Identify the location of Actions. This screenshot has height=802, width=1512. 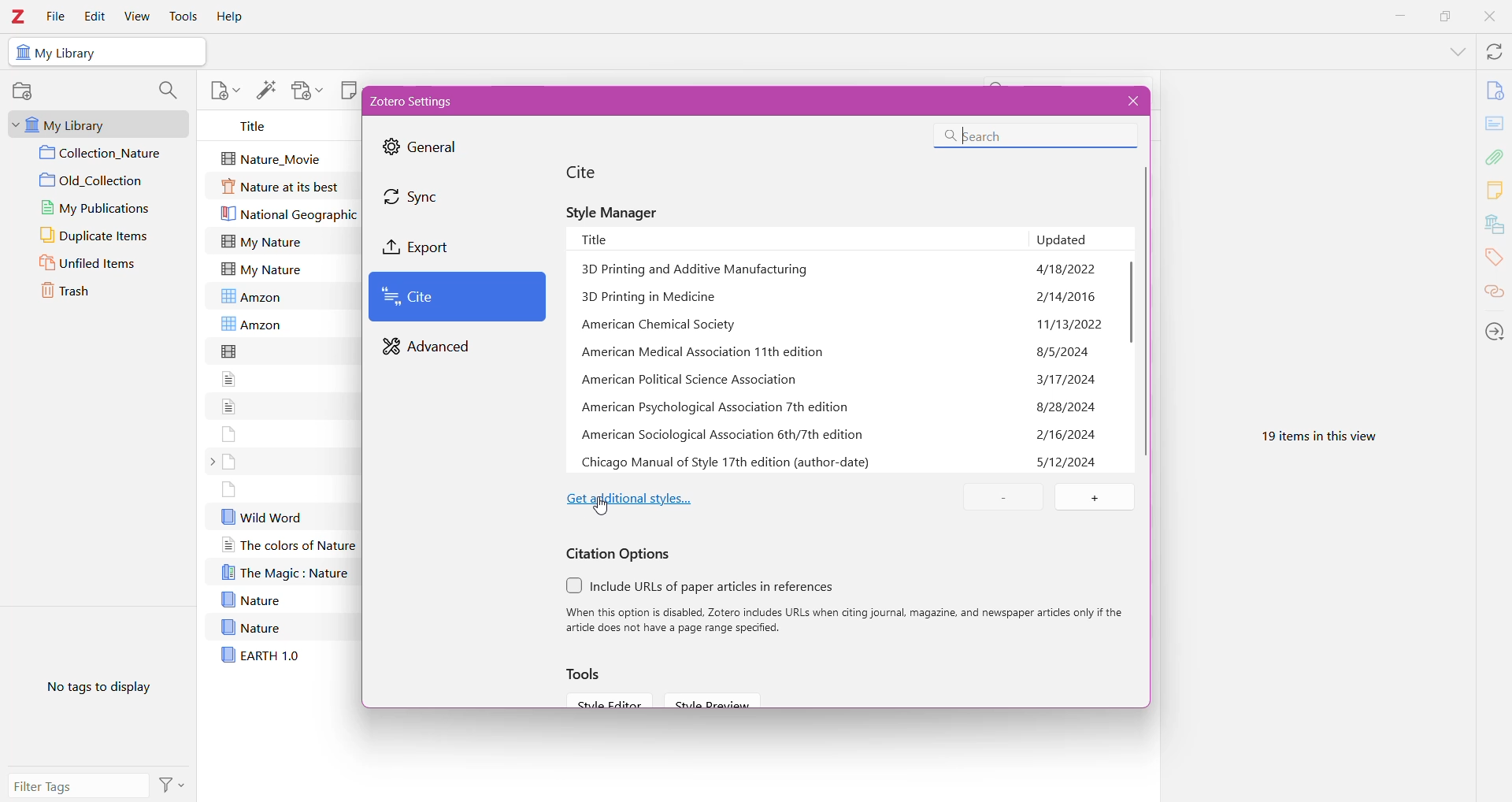
(175, 784).